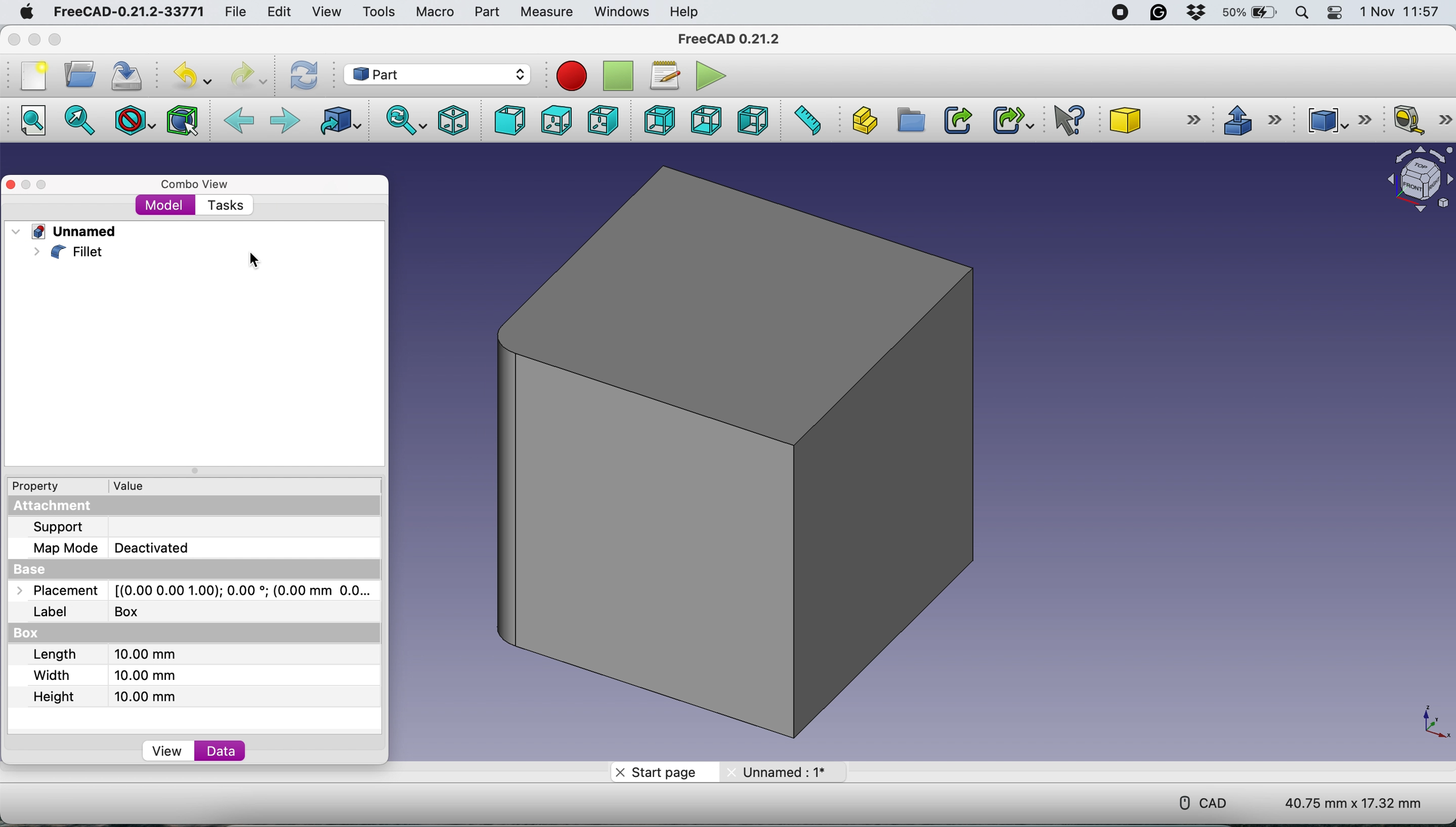  Describe the element at coordinates (125, 12) in the screenshot. I see `freecad-0.21.2-33771` at that location.